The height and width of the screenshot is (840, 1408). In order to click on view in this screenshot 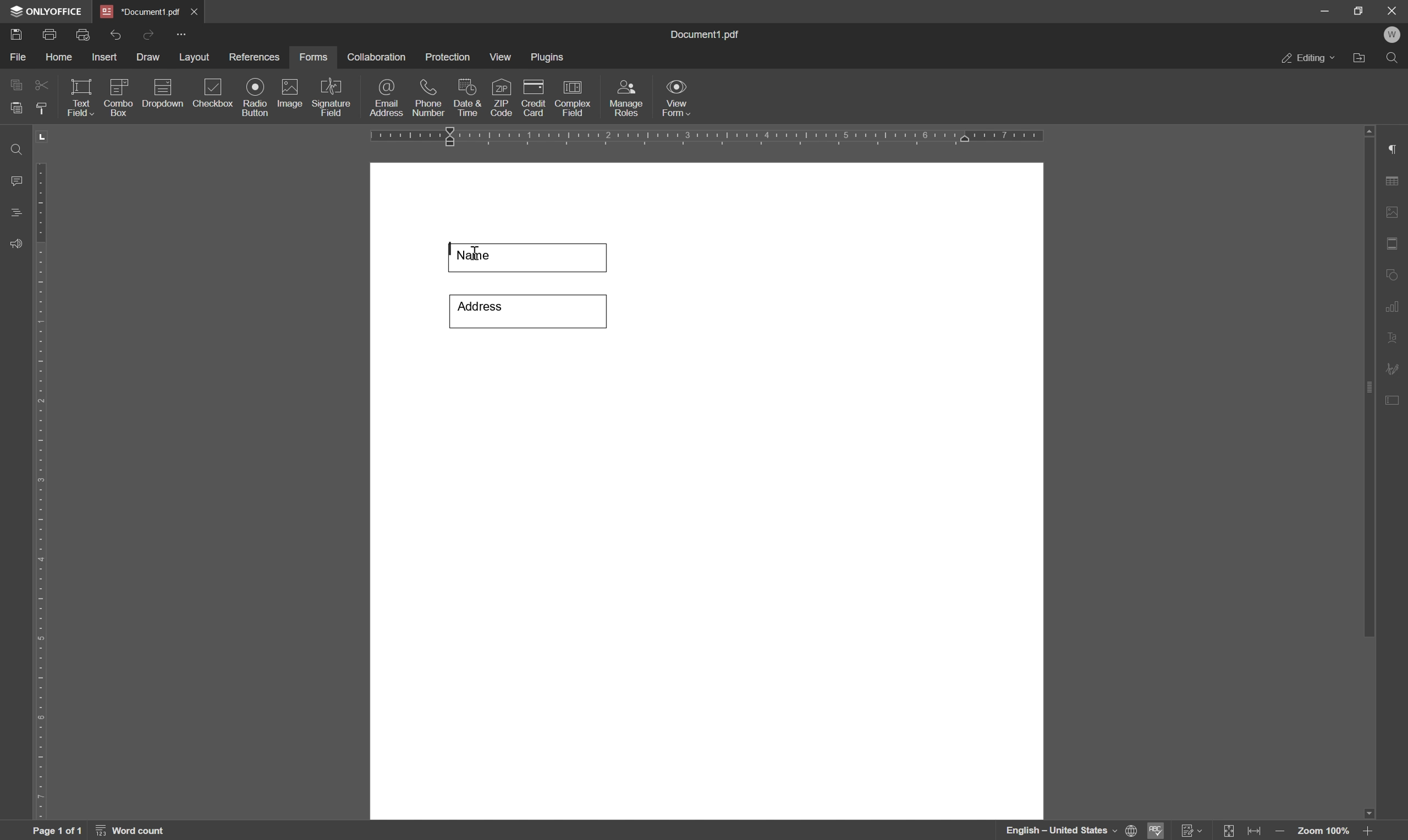, I will do `click(502, 57)`.